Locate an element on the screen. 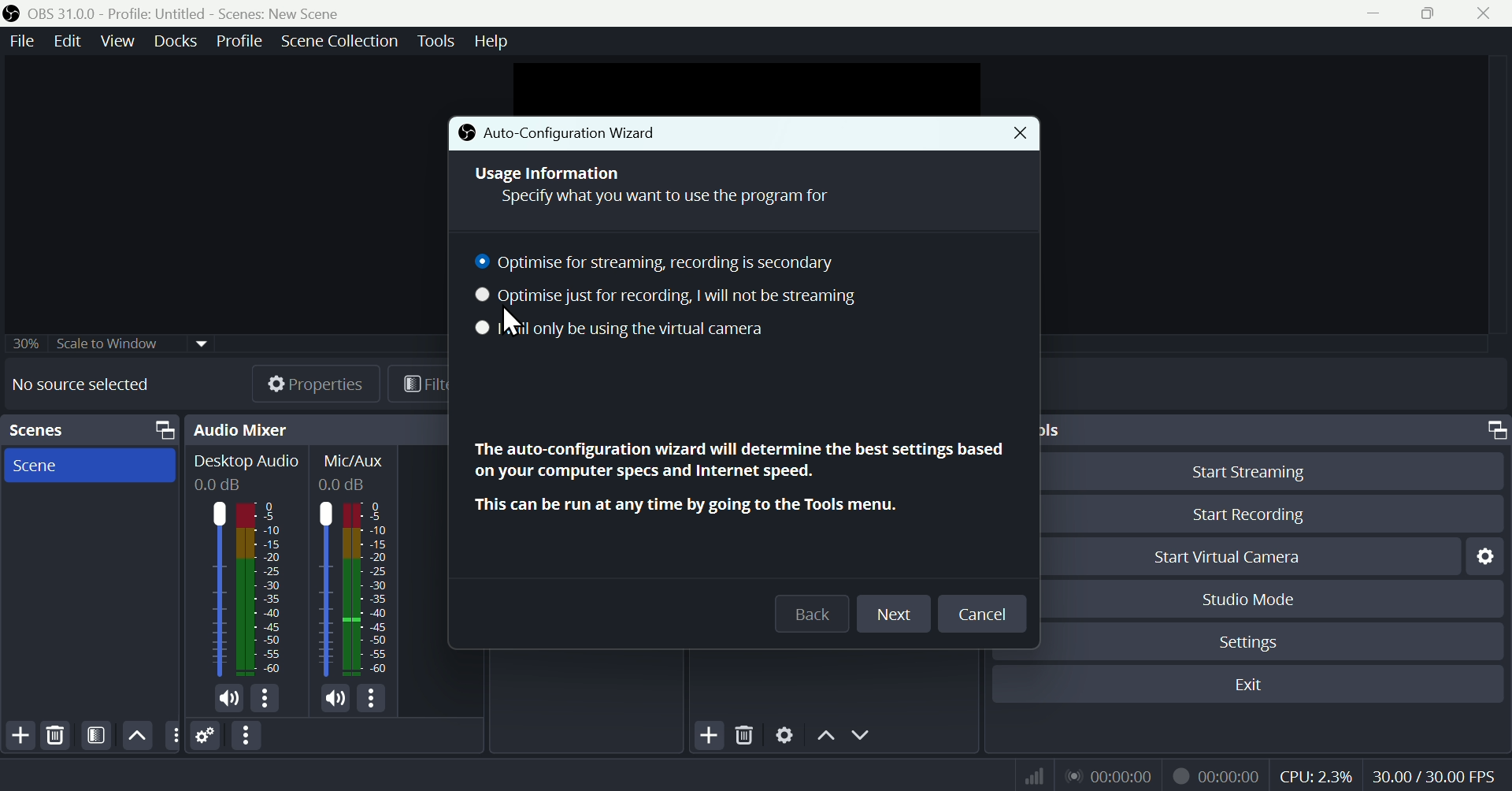  screen resize is located at coordinates (1492, 430).